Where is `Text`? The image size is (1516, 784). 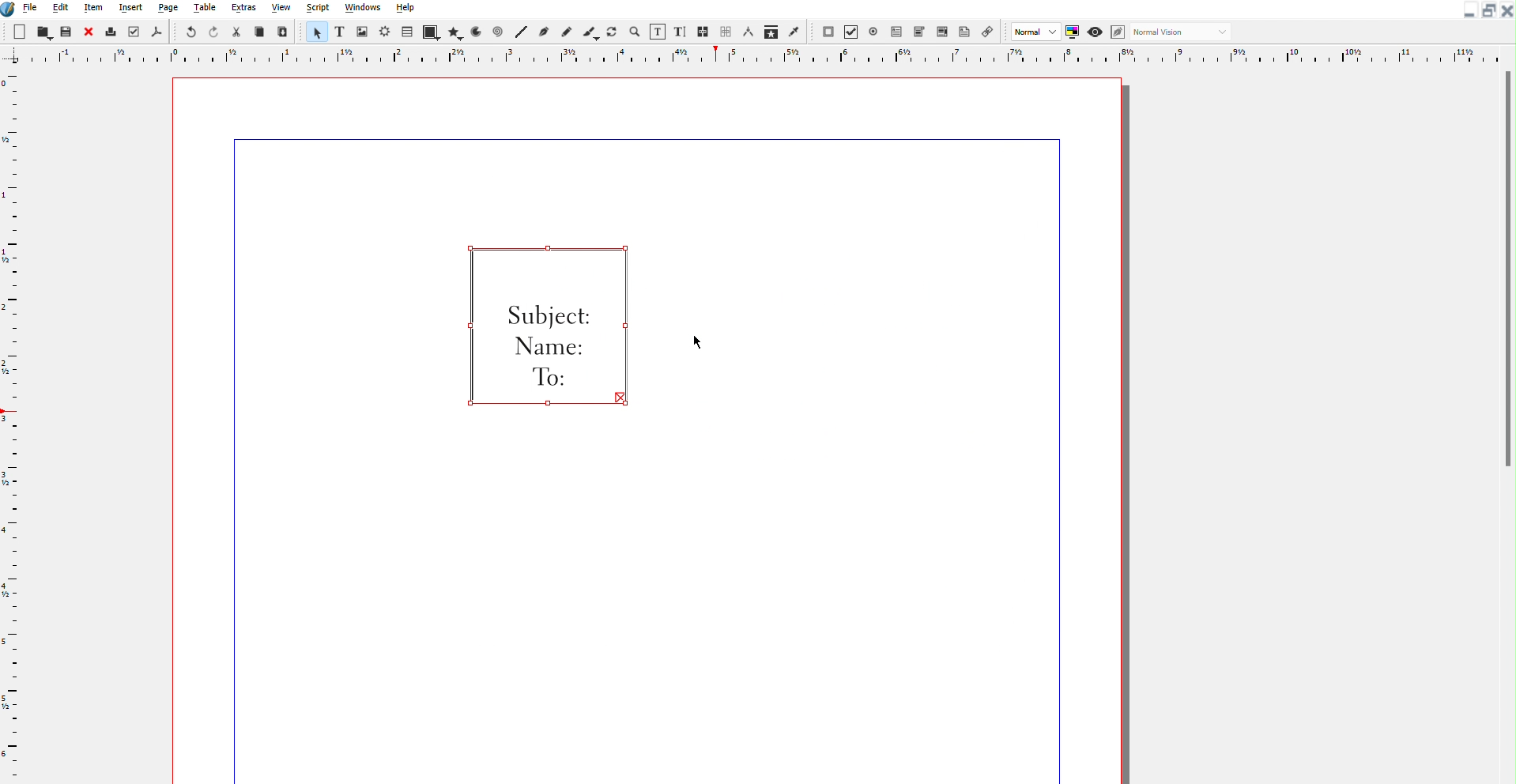 Text is located at coordinates (338, 32).